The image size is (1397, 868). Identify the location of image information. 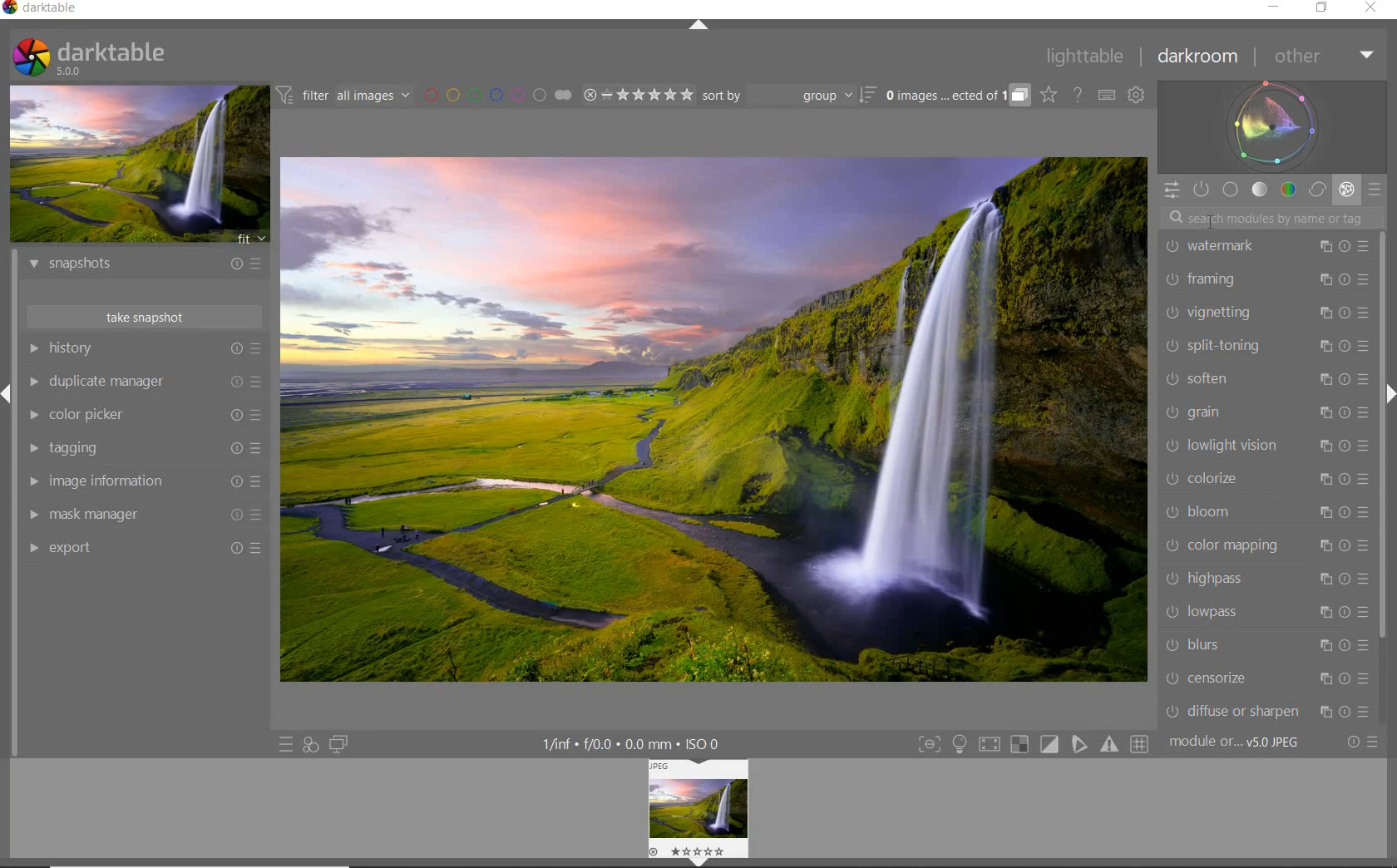
(143, 481).